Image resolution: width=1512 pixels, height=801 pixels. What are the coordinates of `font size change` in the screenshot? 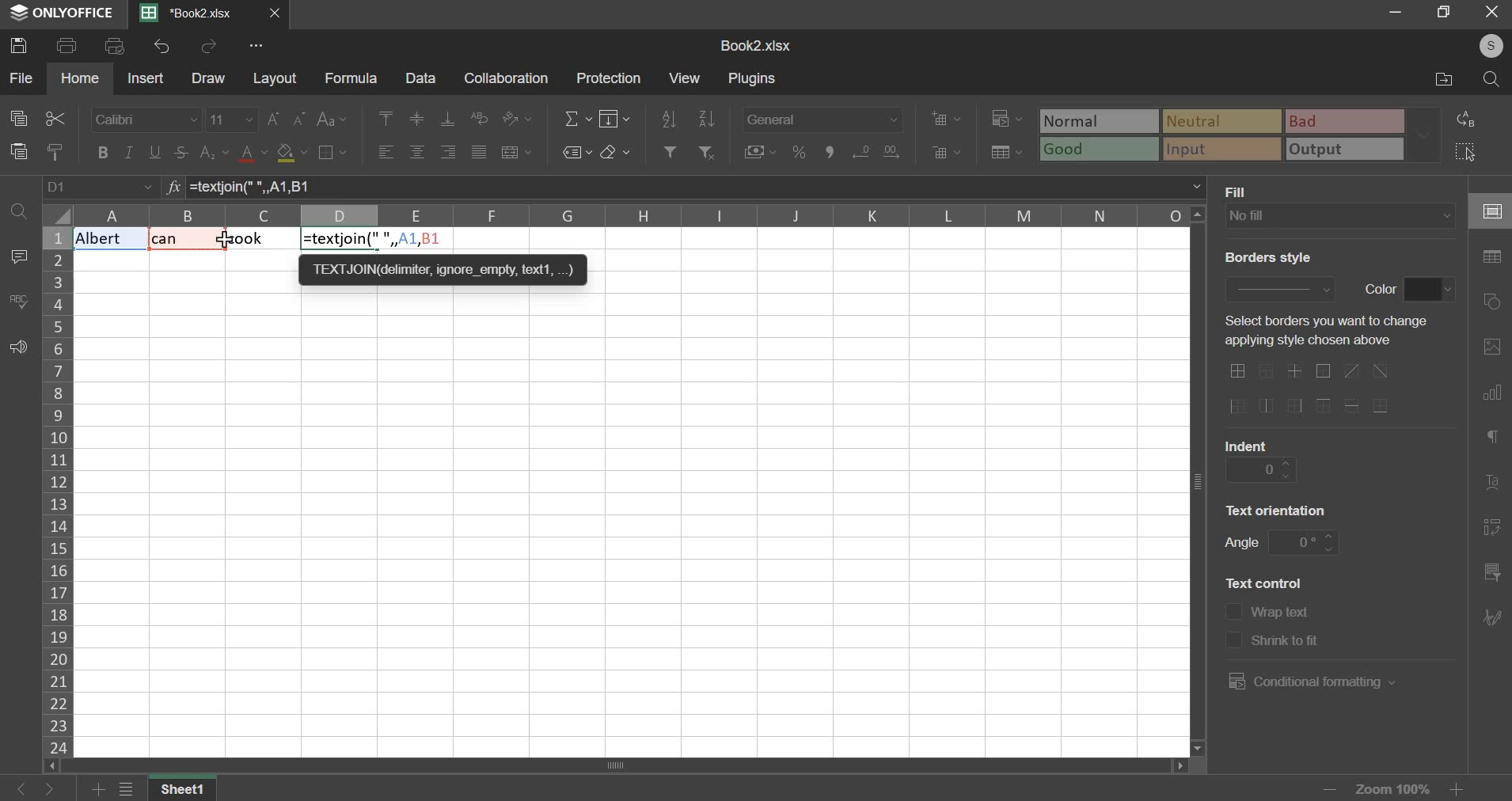 It's located at (288, 119).